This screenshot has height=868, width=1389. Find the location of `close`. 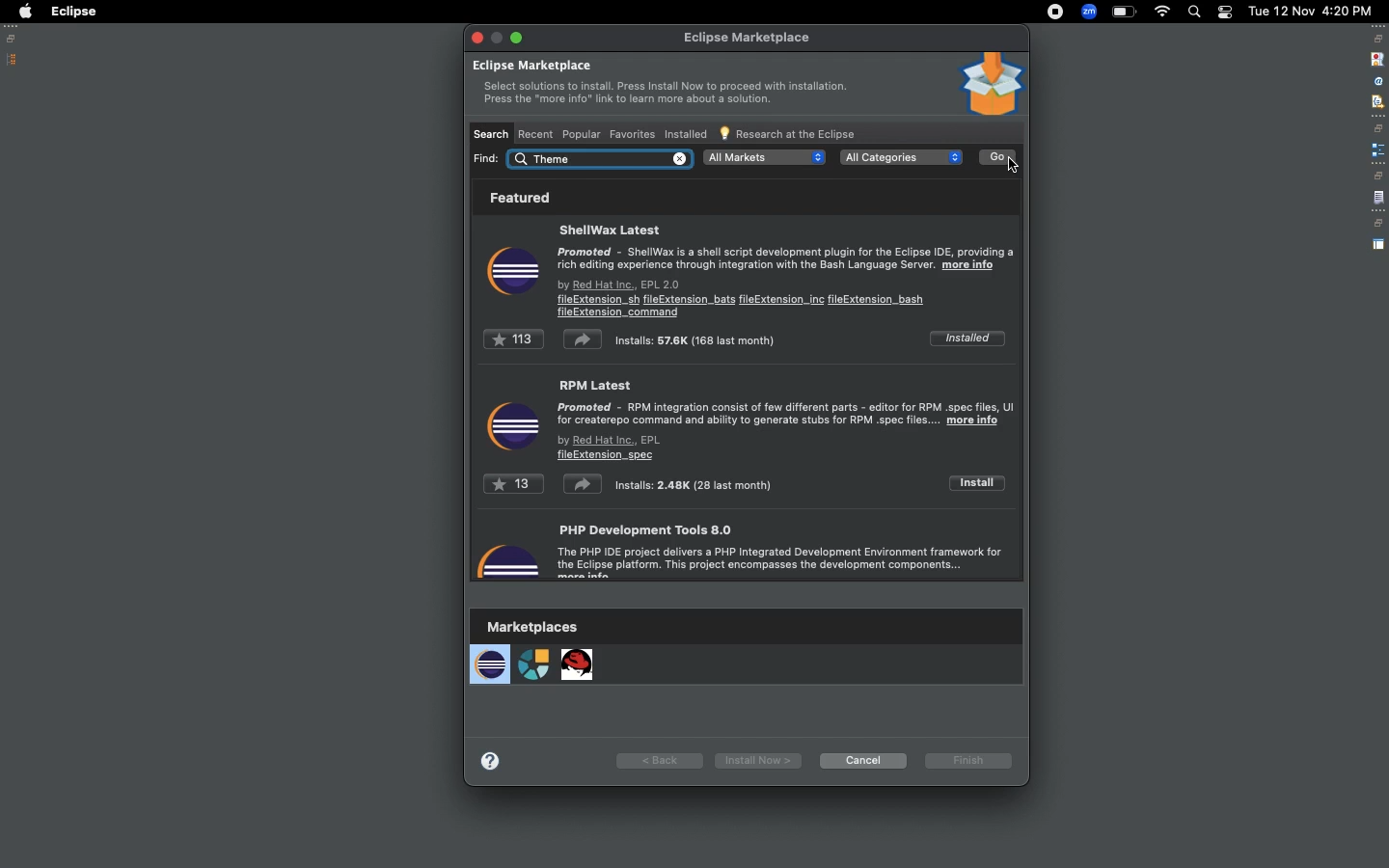

close is located at coordinates (477, 37).